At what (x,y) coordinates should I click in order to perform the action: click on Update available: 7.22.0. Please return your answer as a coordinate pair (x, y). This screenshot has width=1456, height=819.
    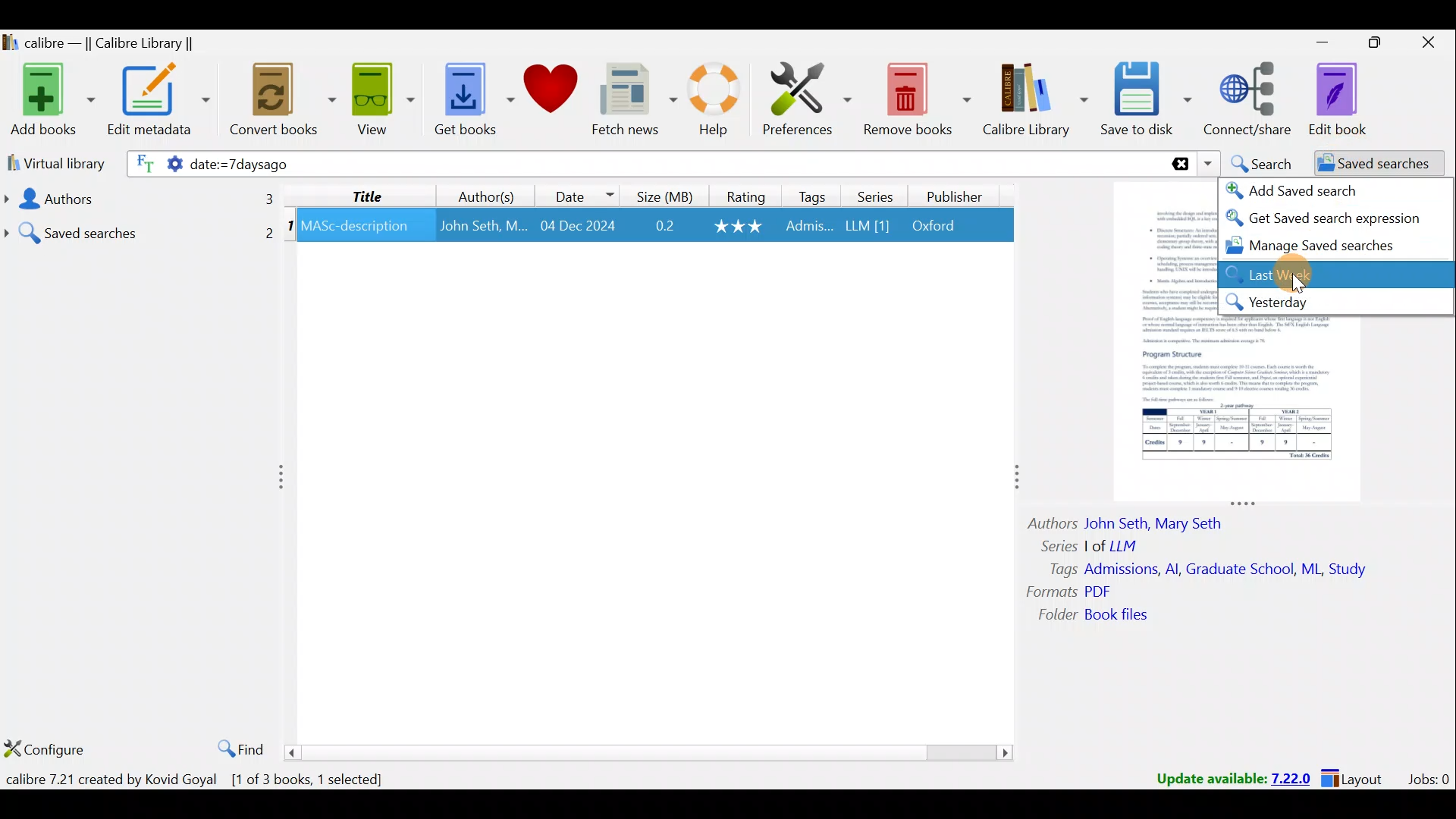
    Looking at the image, I should click on (1225, 777).